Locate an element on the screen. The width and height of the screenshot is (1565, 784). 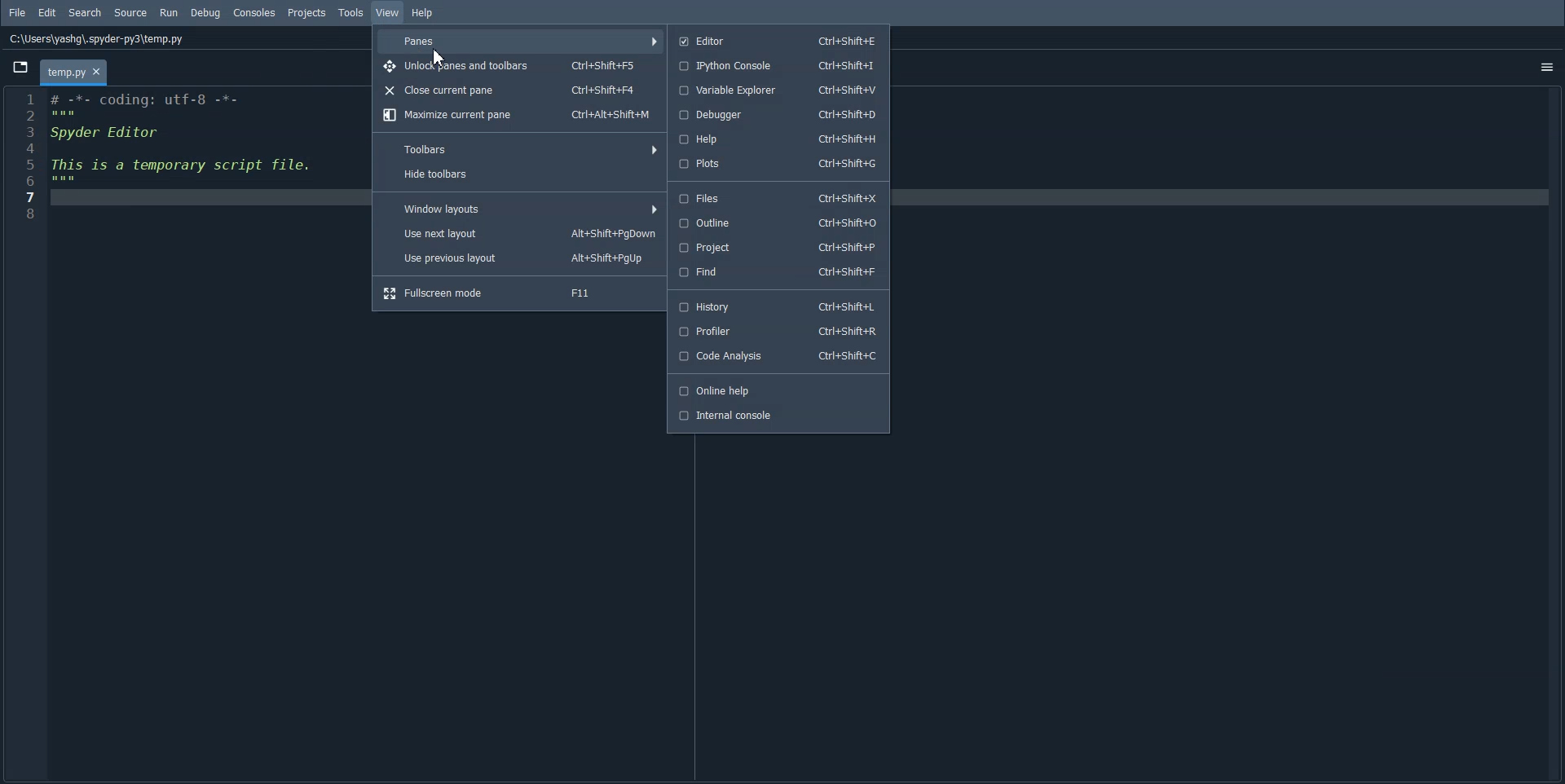
Toolbars is located at coordinates (520, 148).